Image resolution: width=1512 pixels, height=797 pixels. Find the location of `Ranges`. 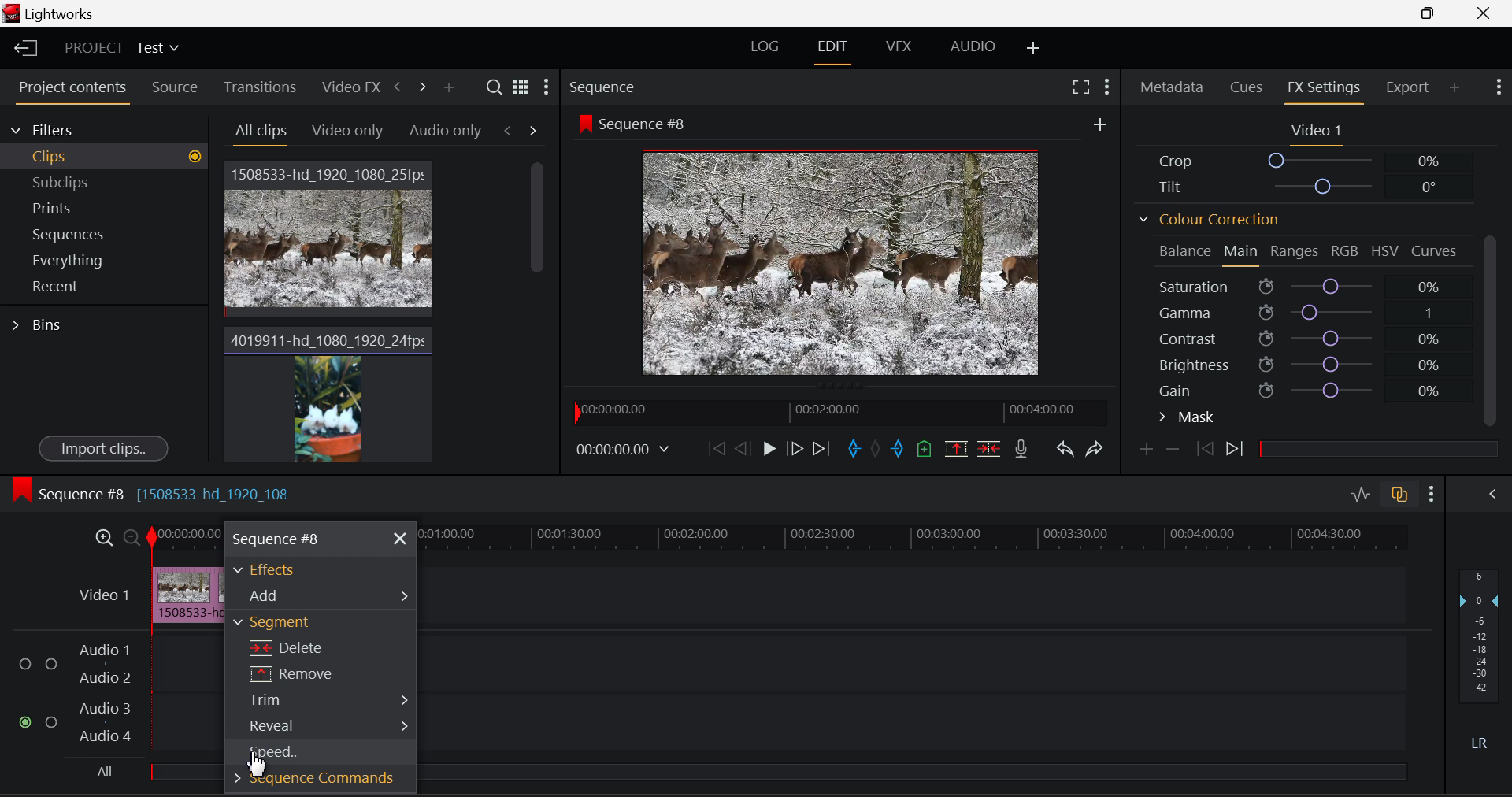

Ranges is located at coordinates (1295, 252).